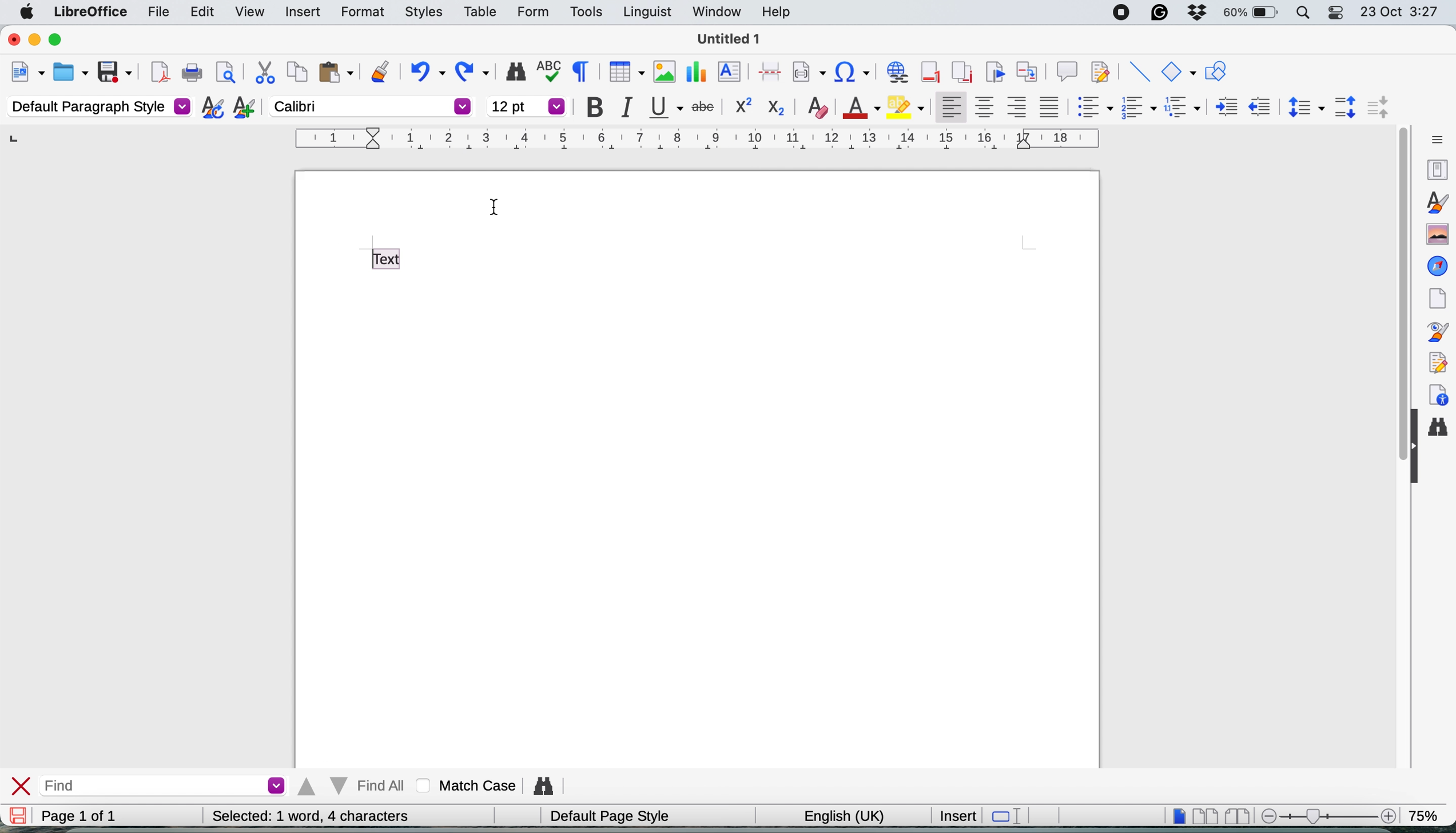 This screenshot has width=1456, height=833. Describe the element at coordinates (590, 105) in the screenshot. I see `bold` at that location.